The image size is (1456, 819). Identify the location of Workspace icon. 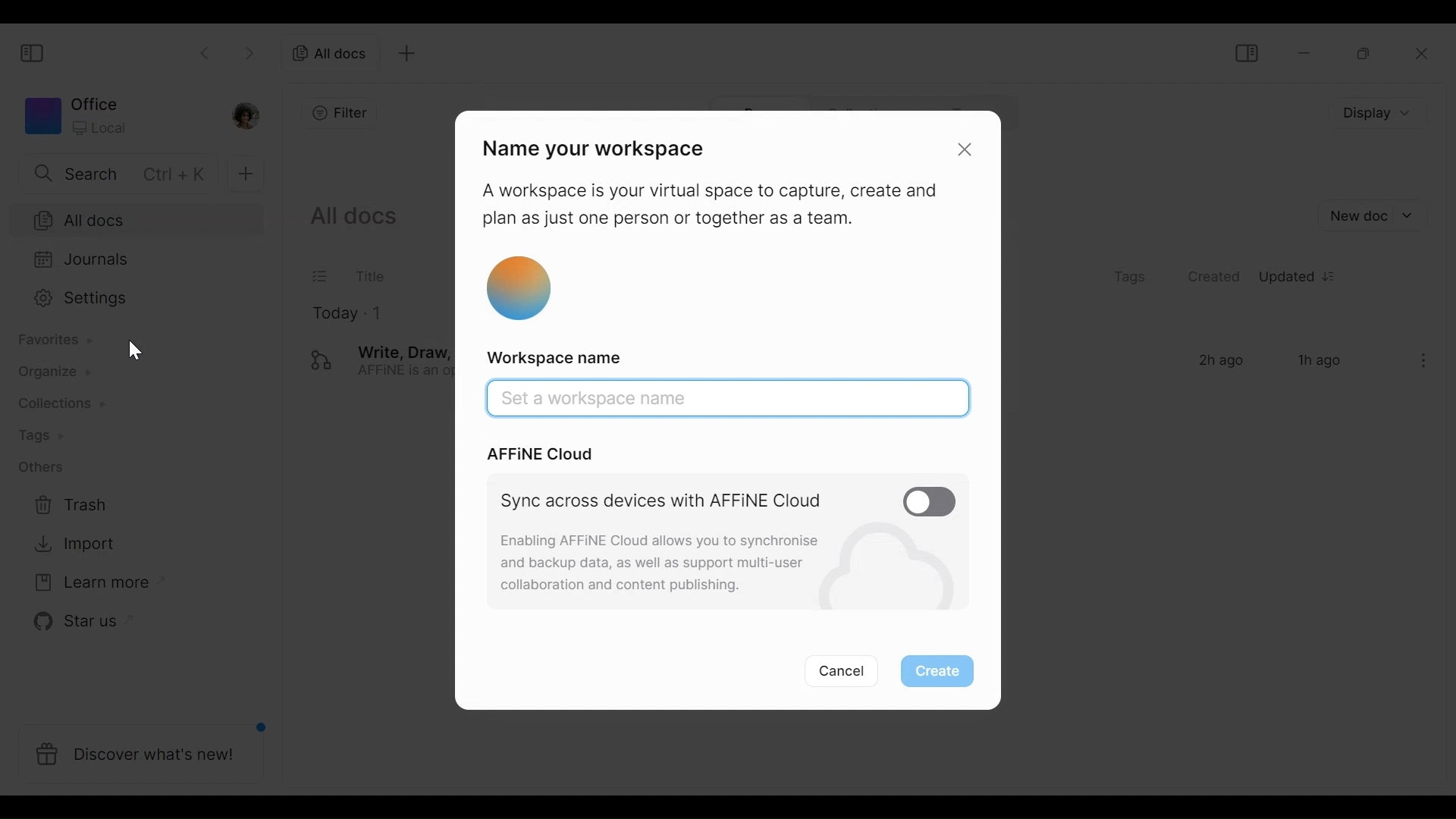
(118, 118).